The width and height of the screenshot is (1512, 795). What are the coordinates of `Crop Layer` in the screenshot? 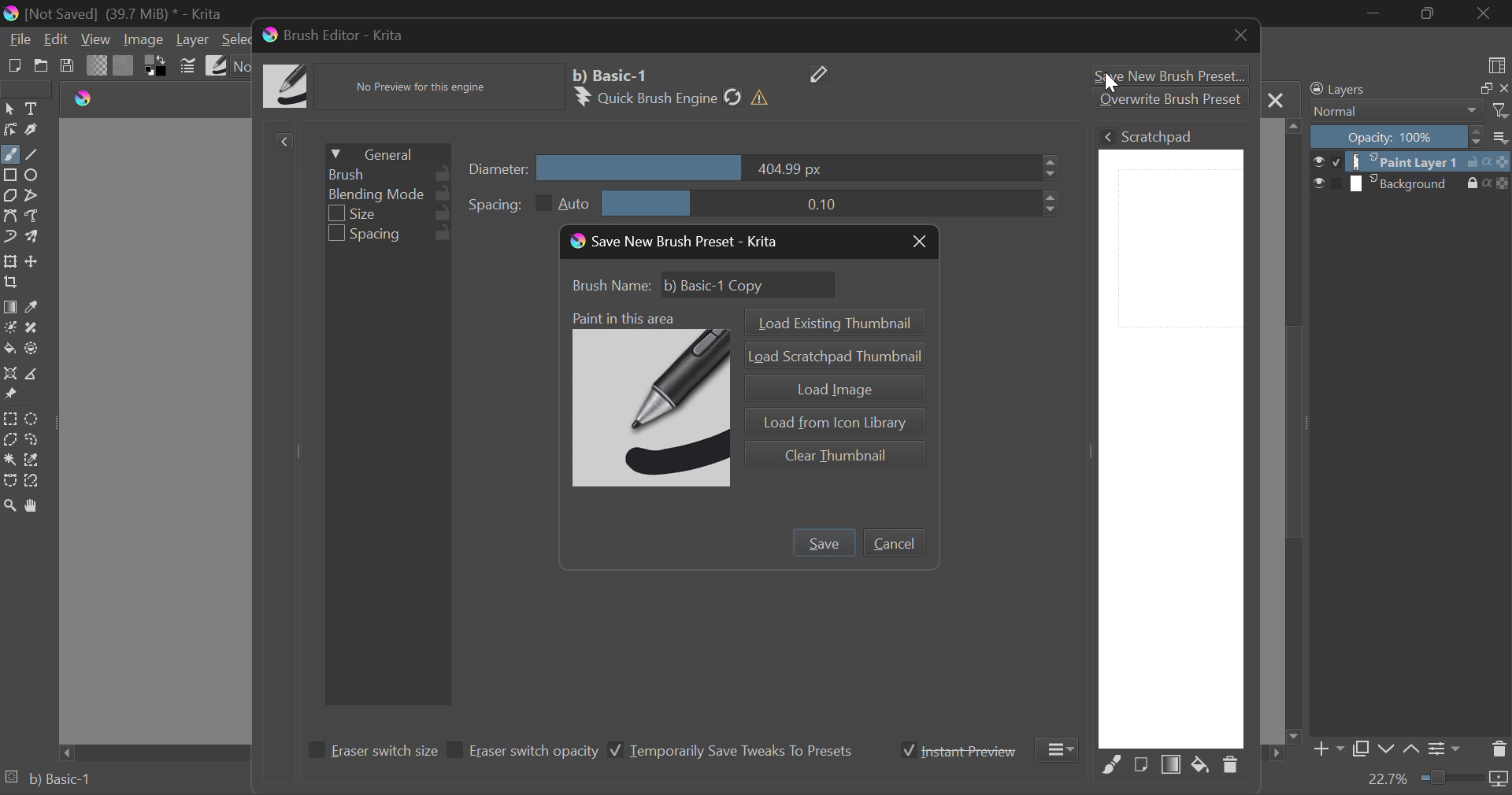 It's located at (14, 283).